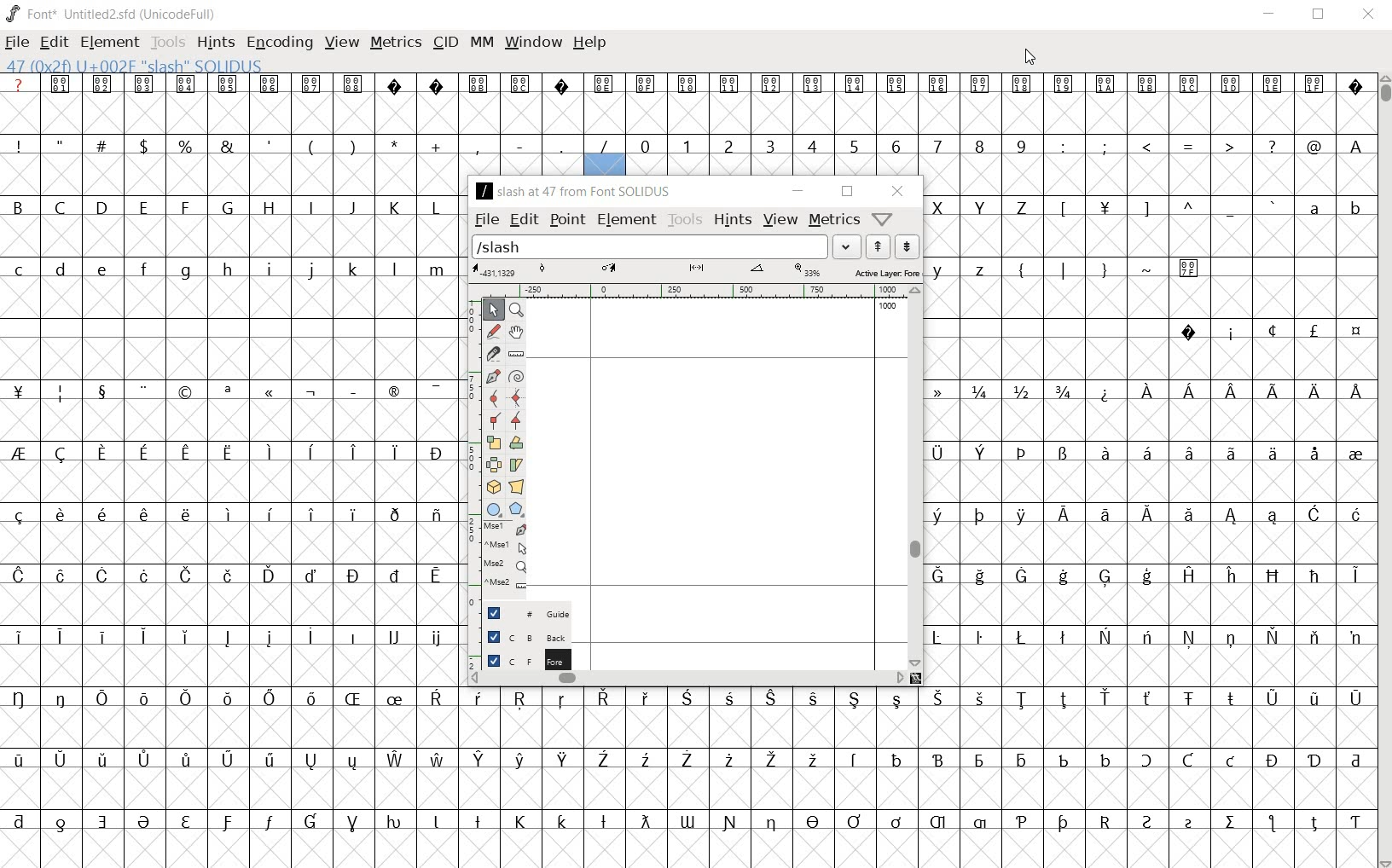  I want to click on active layer, so click(699, 271).